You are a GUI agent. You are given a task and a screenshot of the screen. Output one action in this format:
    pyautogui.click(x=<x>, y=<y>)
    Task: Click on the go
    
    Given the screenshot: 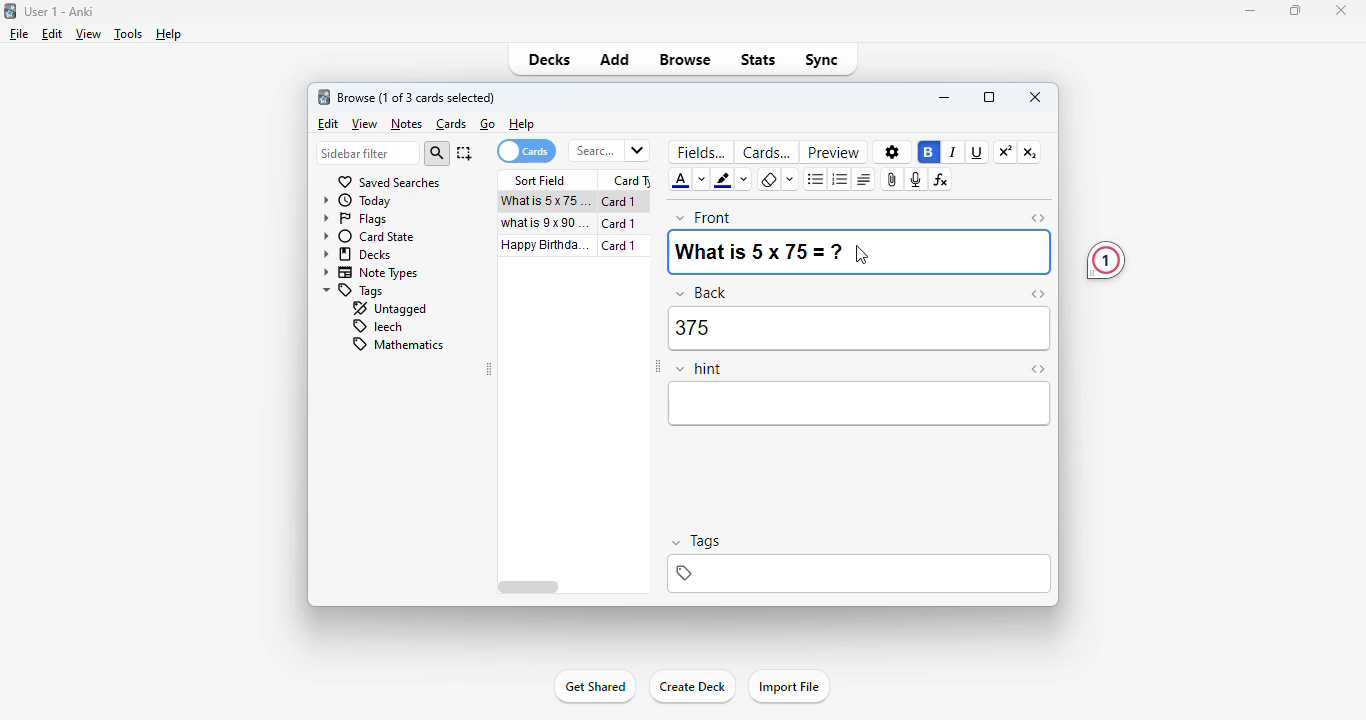 What is the action you would take?
    pyautogui.click(x=487, y=124)
    